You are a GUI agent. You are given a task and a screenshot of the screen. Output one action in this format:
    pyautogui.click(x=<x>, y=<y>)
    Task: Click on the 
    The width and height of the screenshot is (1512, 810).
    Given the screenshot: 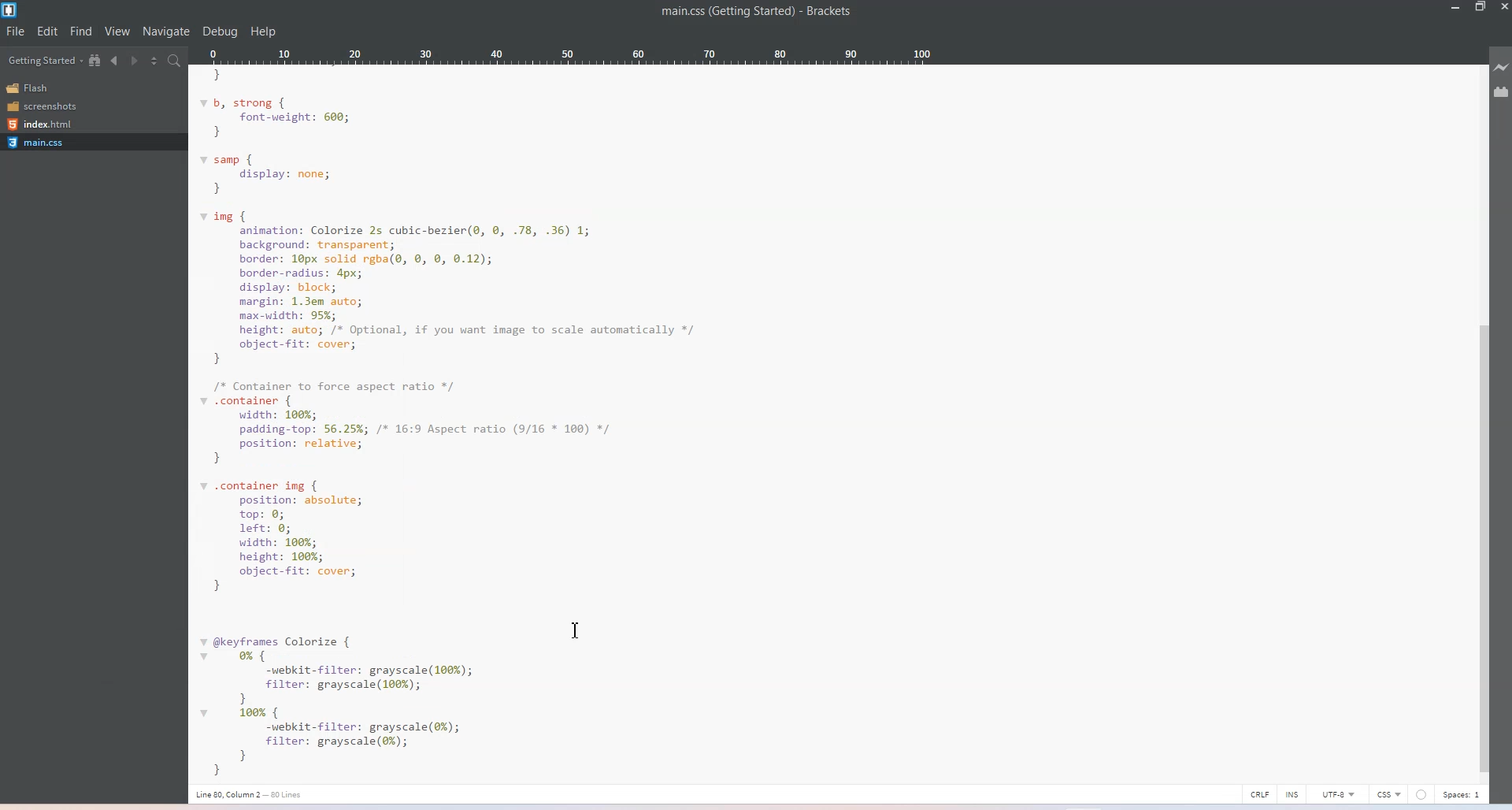 What is the action you would take?
    pyautogui.click(x=1421, y=794)
    